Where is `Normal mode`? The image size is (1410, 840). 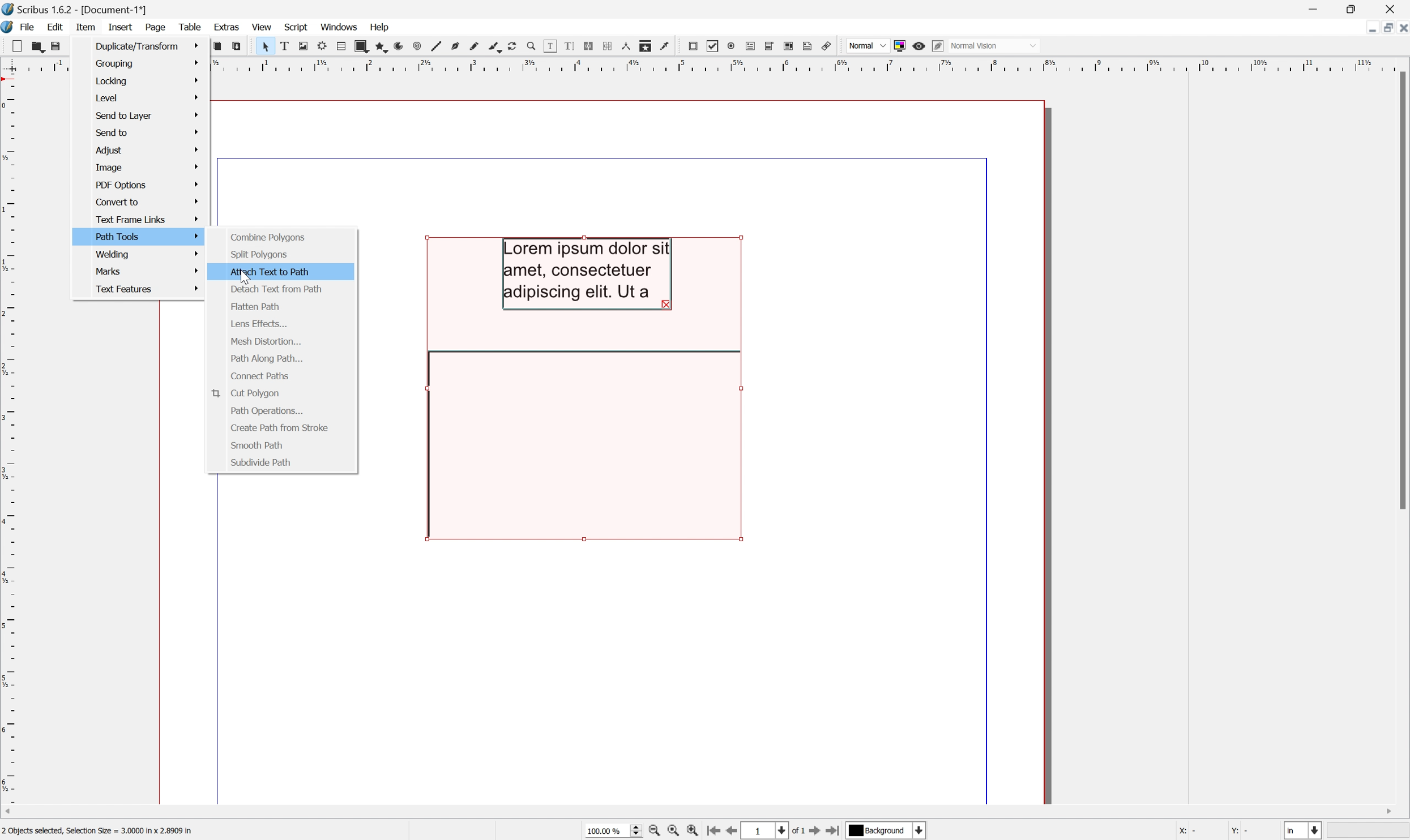
Normal mode is located at coordinates (997, 46).